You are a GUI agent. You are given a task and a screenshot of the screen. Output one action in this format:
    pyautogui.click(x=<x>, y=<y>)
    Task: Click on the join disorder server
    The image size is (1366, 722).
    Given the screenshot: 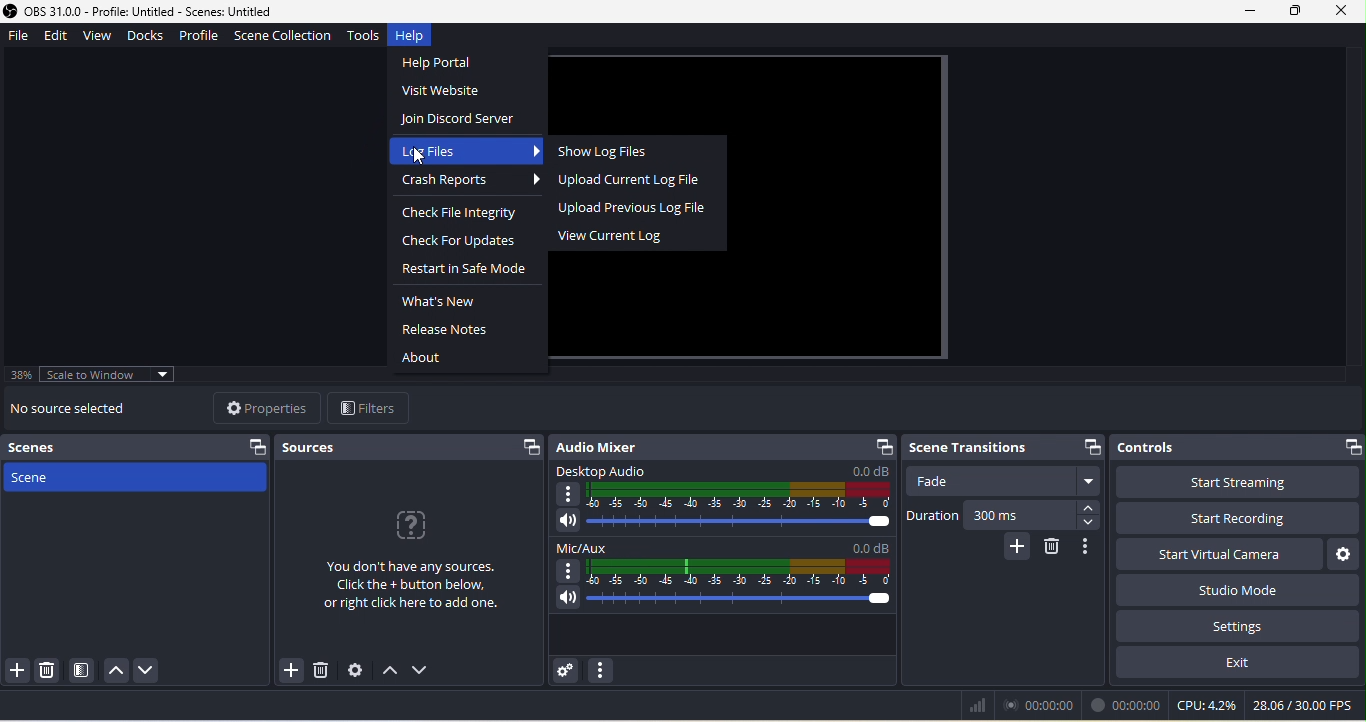 What is the action you would take?
    pyautogui.click(x=462, y=119)
    